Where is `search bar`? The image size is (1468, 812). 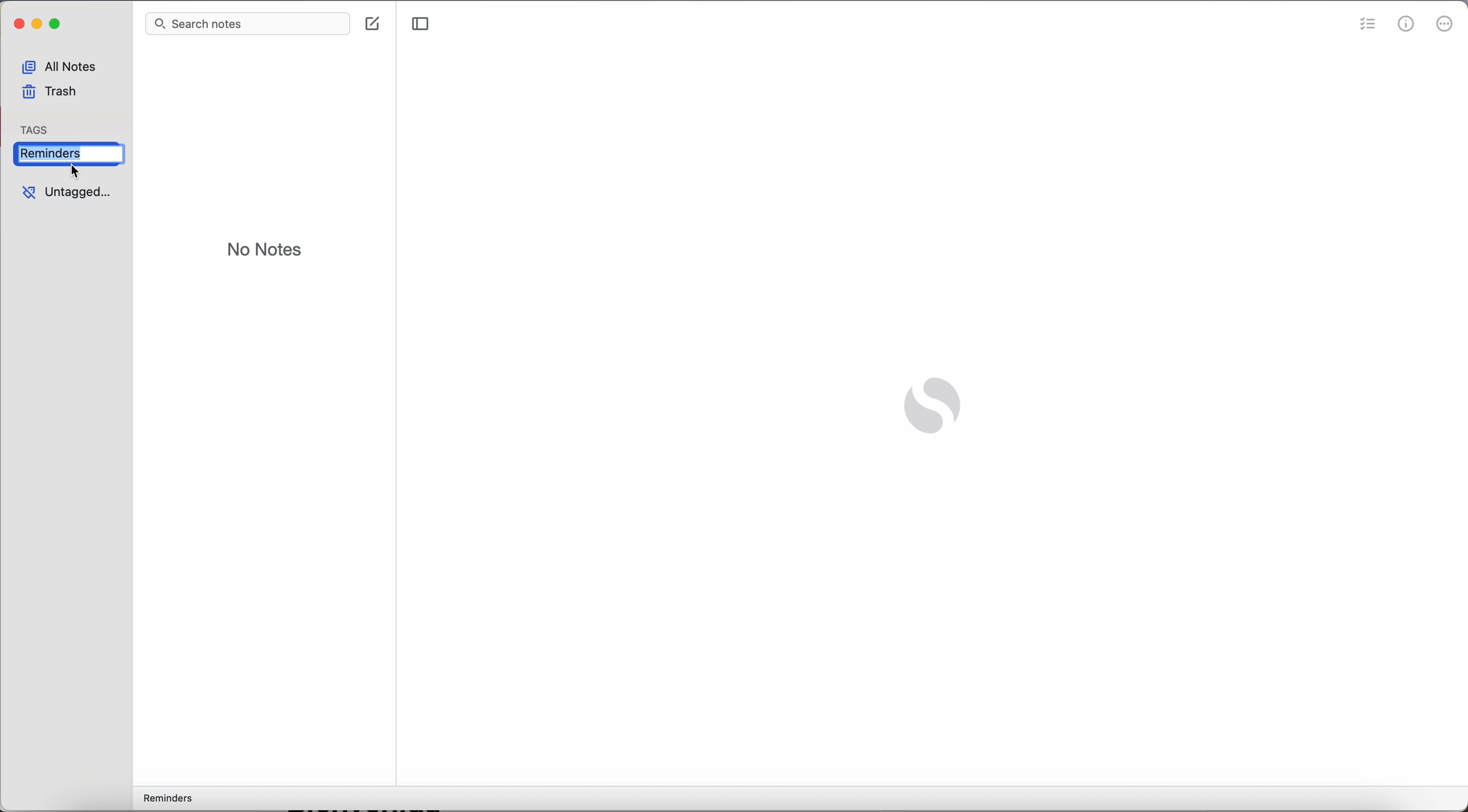 search bar is located at coordinates (250, 25).